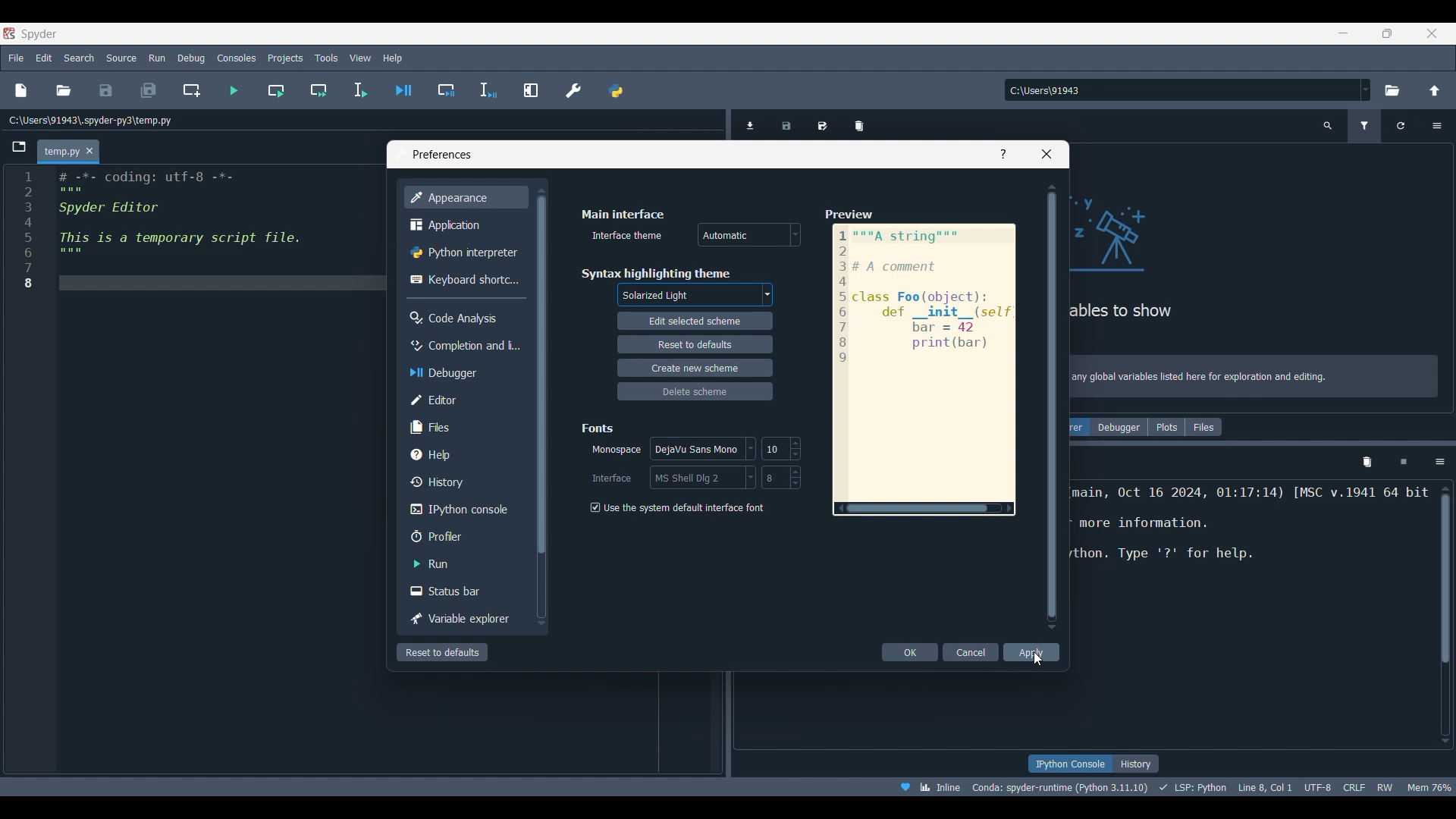  Describe the element at coordinates (1404, 463) in the screenshot. I see `Interrupt kernel` at that location.